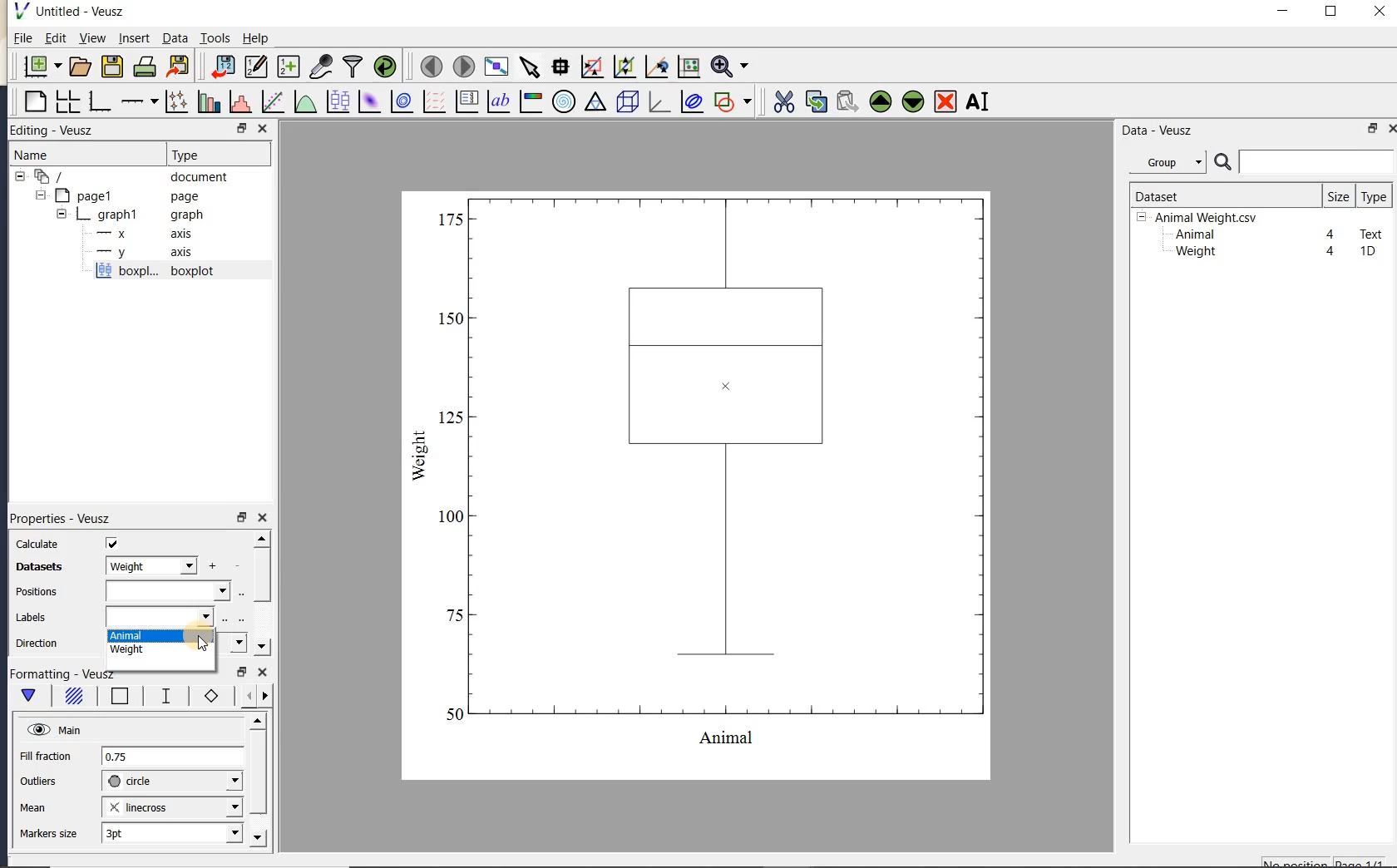  I want to click on cut the selected widget, so click(782, 102).